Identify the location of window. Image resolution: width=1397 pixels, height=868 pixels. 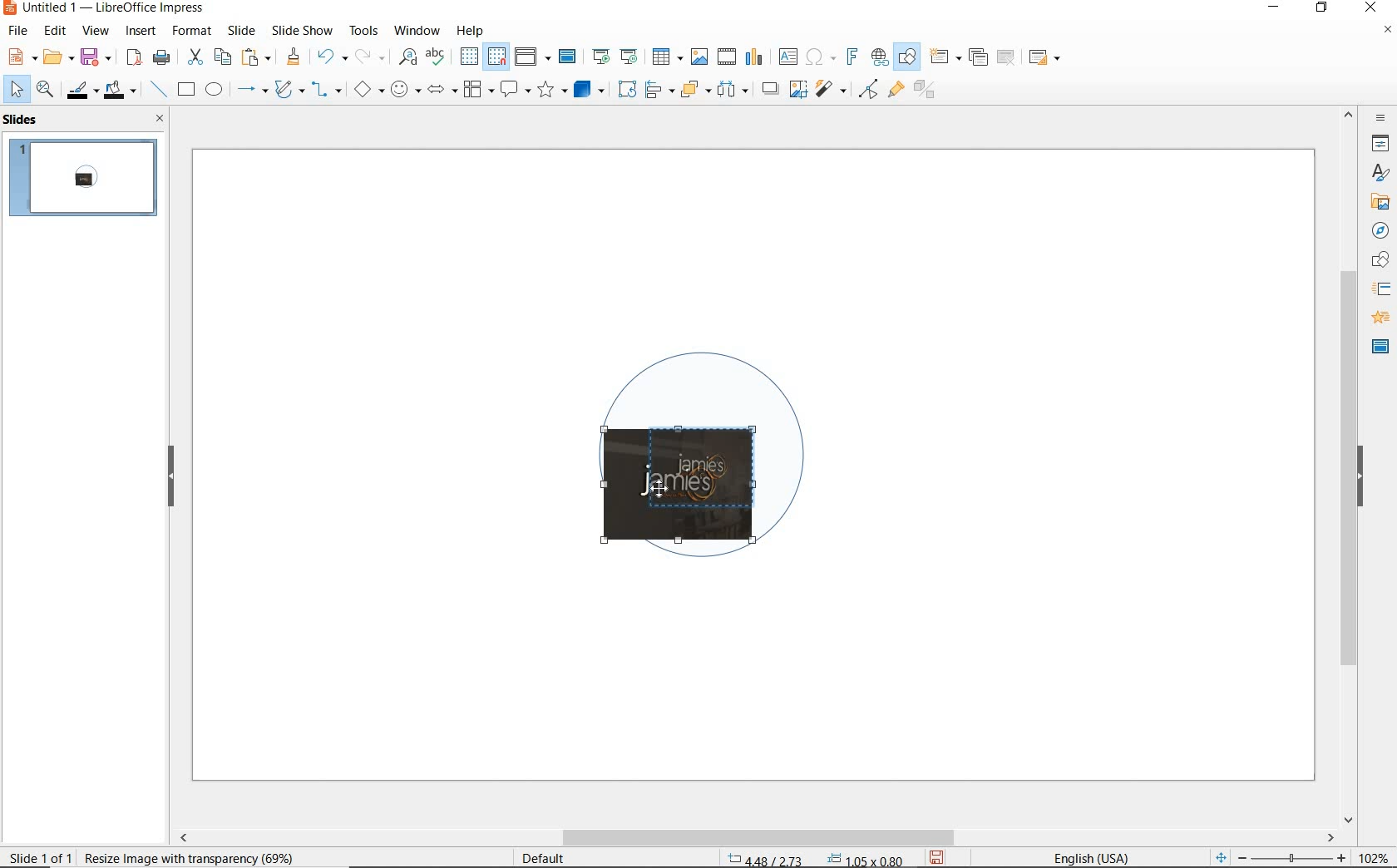
(417, 29).